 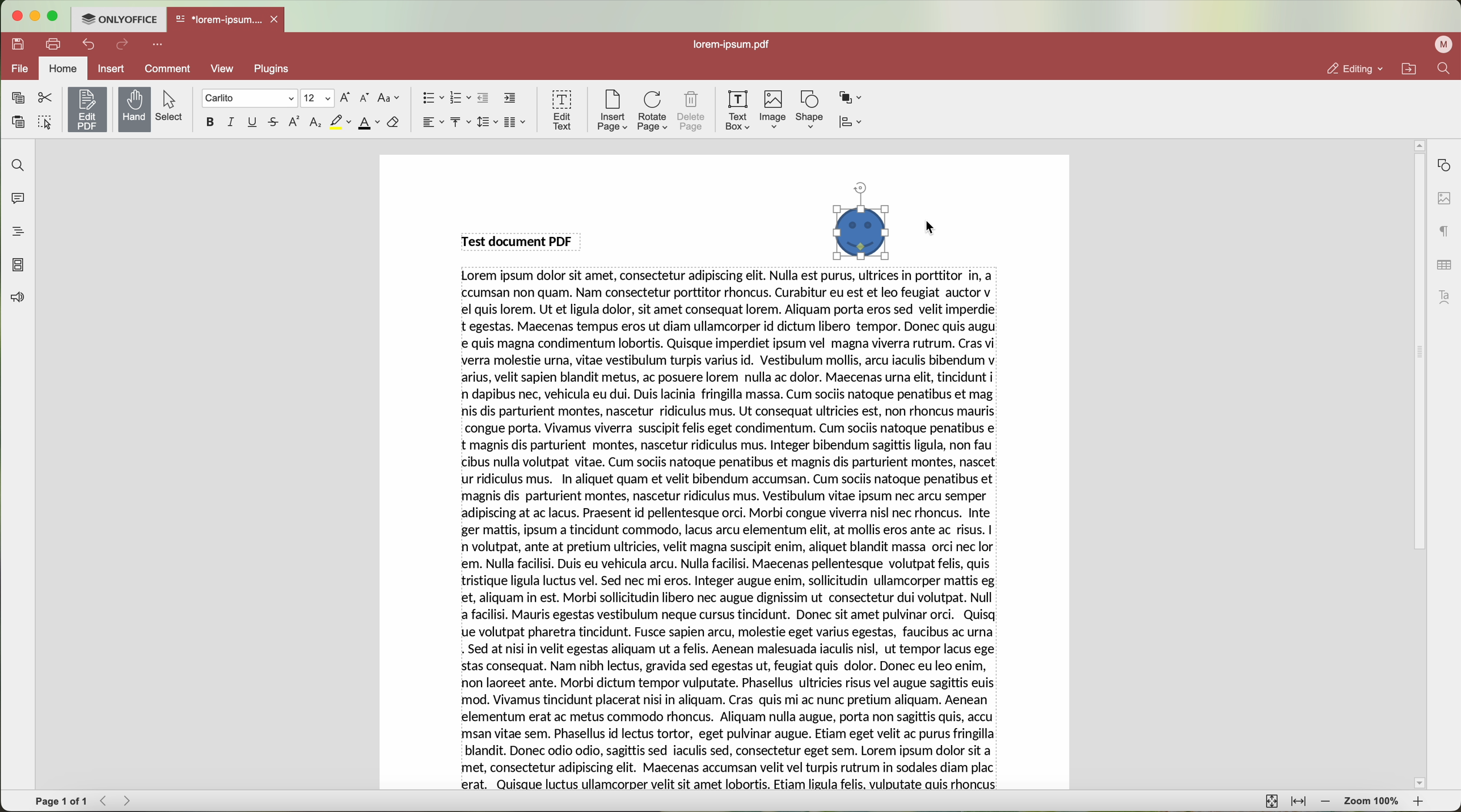 I want to click on superscript, so click(x=293, y=122).